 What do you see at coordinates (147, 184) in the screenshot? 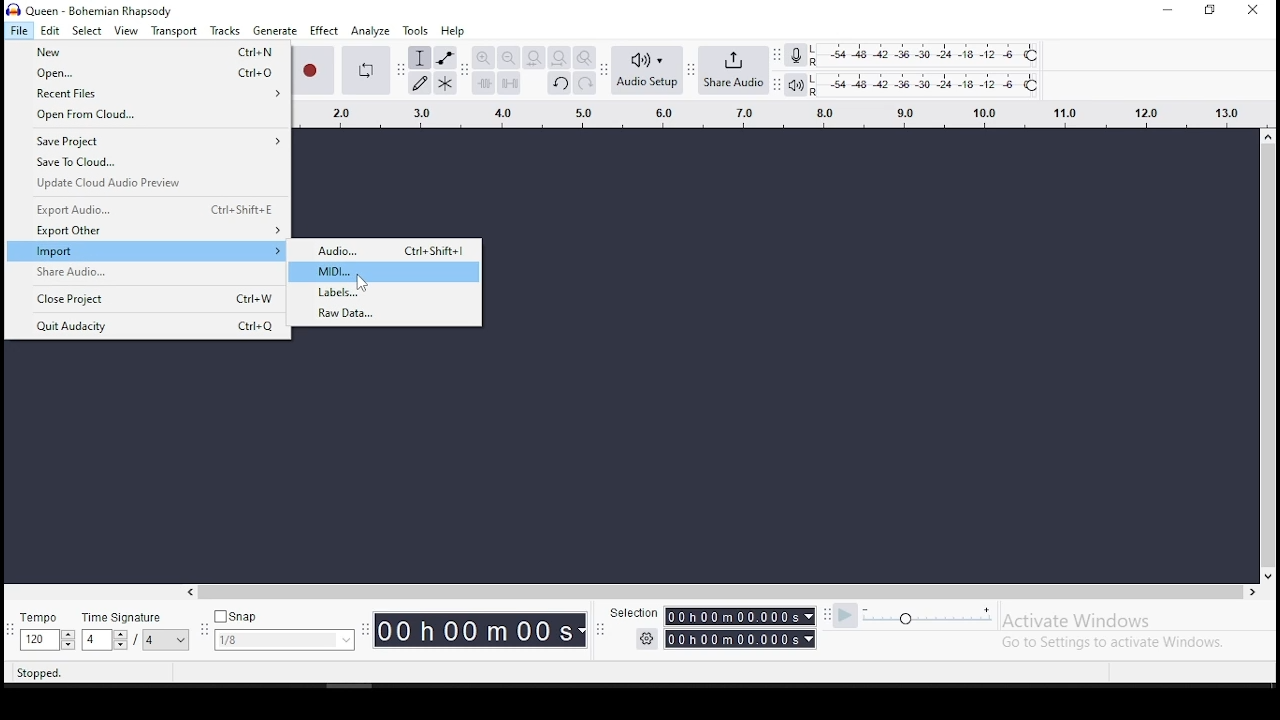
I see `update cloud audio preview` at bounding box center [147, 184].